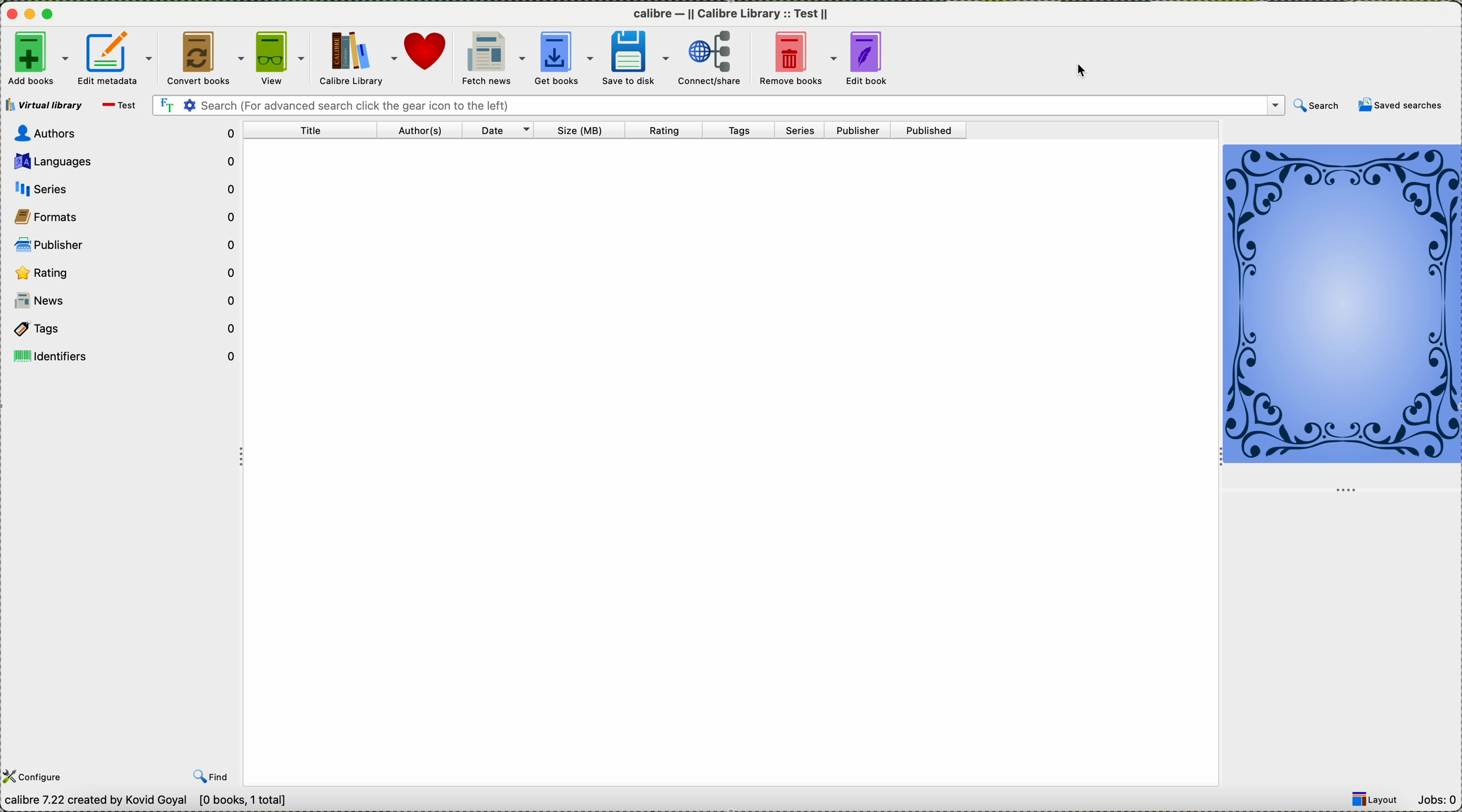 The image size is (1462, 812). Describe the element at coordinates (30, 18) in the screenshot. I see `minimize` at that location.